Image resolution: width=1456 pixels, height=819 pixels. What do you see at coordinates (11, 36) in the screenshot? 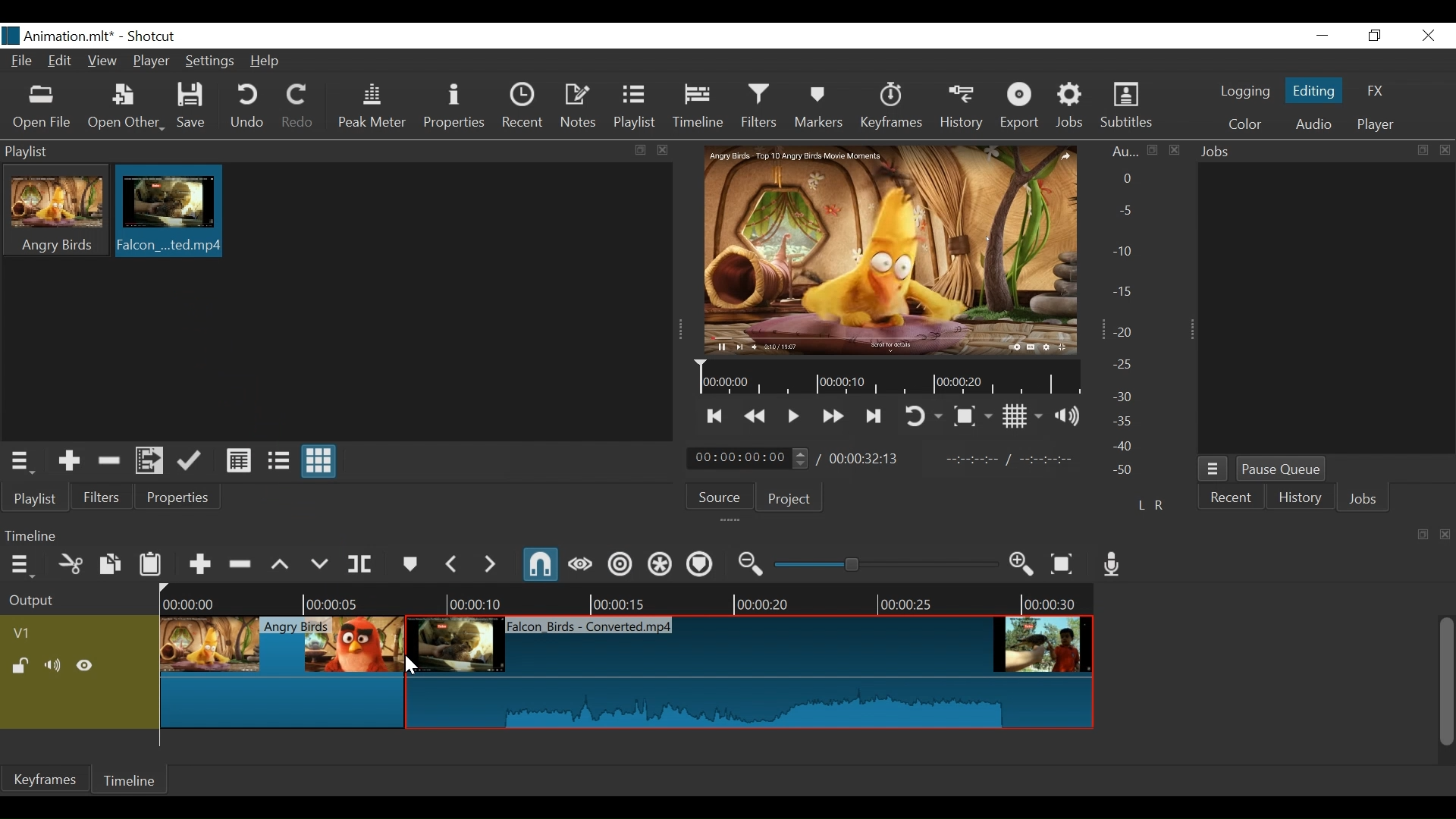
I see `Shotcut Desktop icon` at bounding box center [11, 36].